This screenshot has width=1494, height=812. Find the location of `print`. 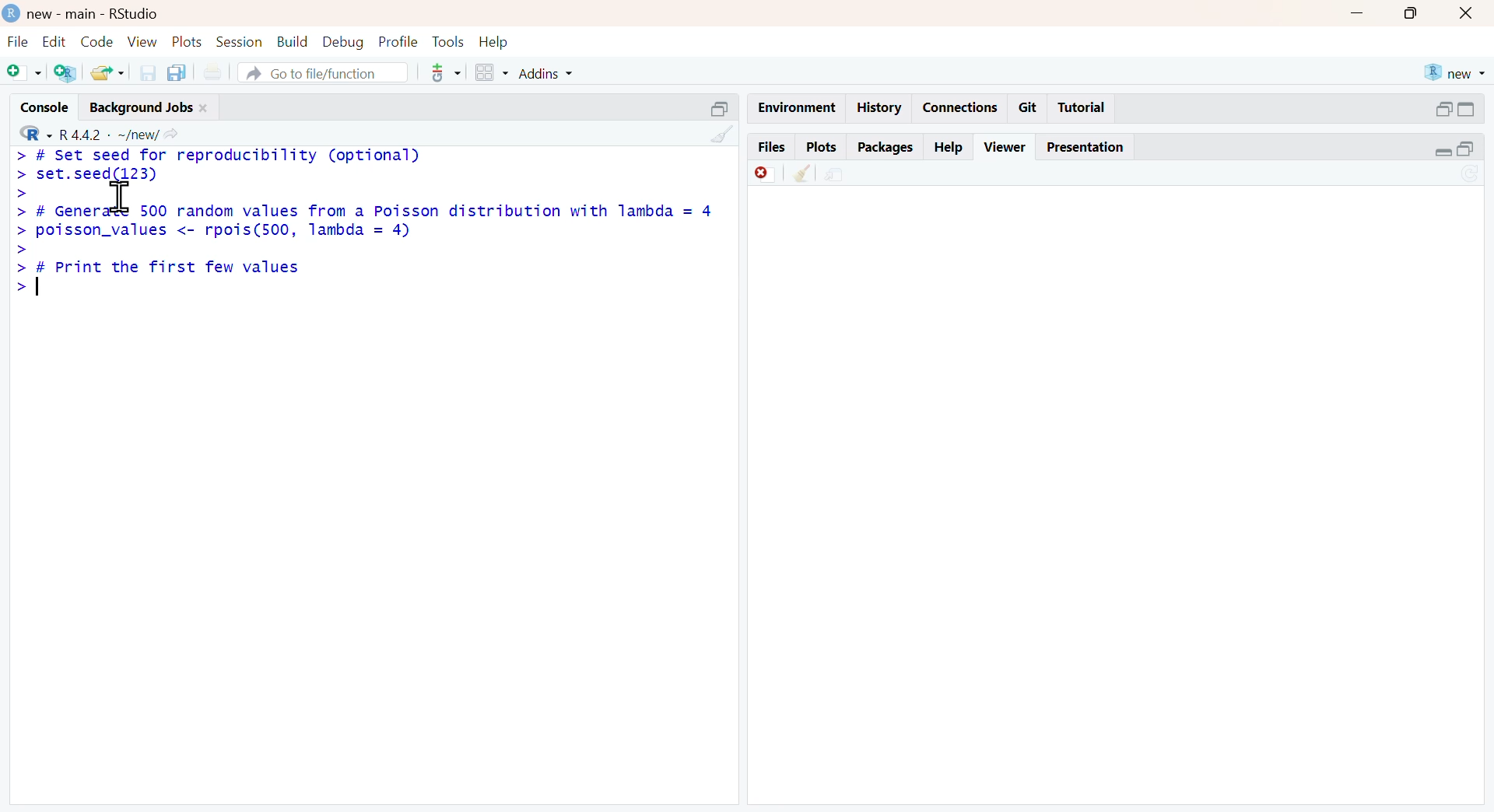

print is located at coordinates (214, 70).